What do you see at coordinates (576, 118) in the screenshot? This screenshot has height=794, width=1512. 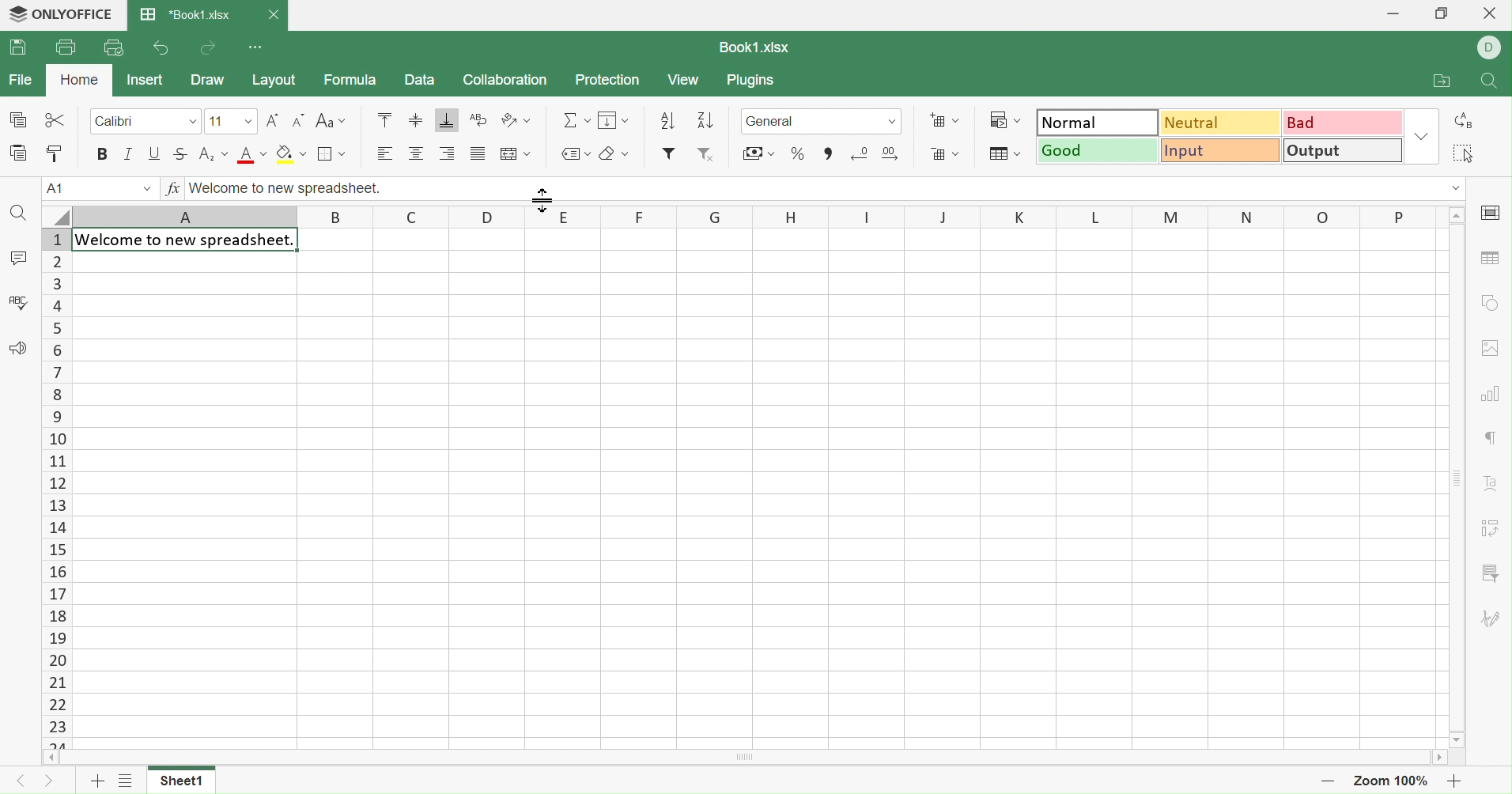 I see `Summation` at bounding box center [576, 118].